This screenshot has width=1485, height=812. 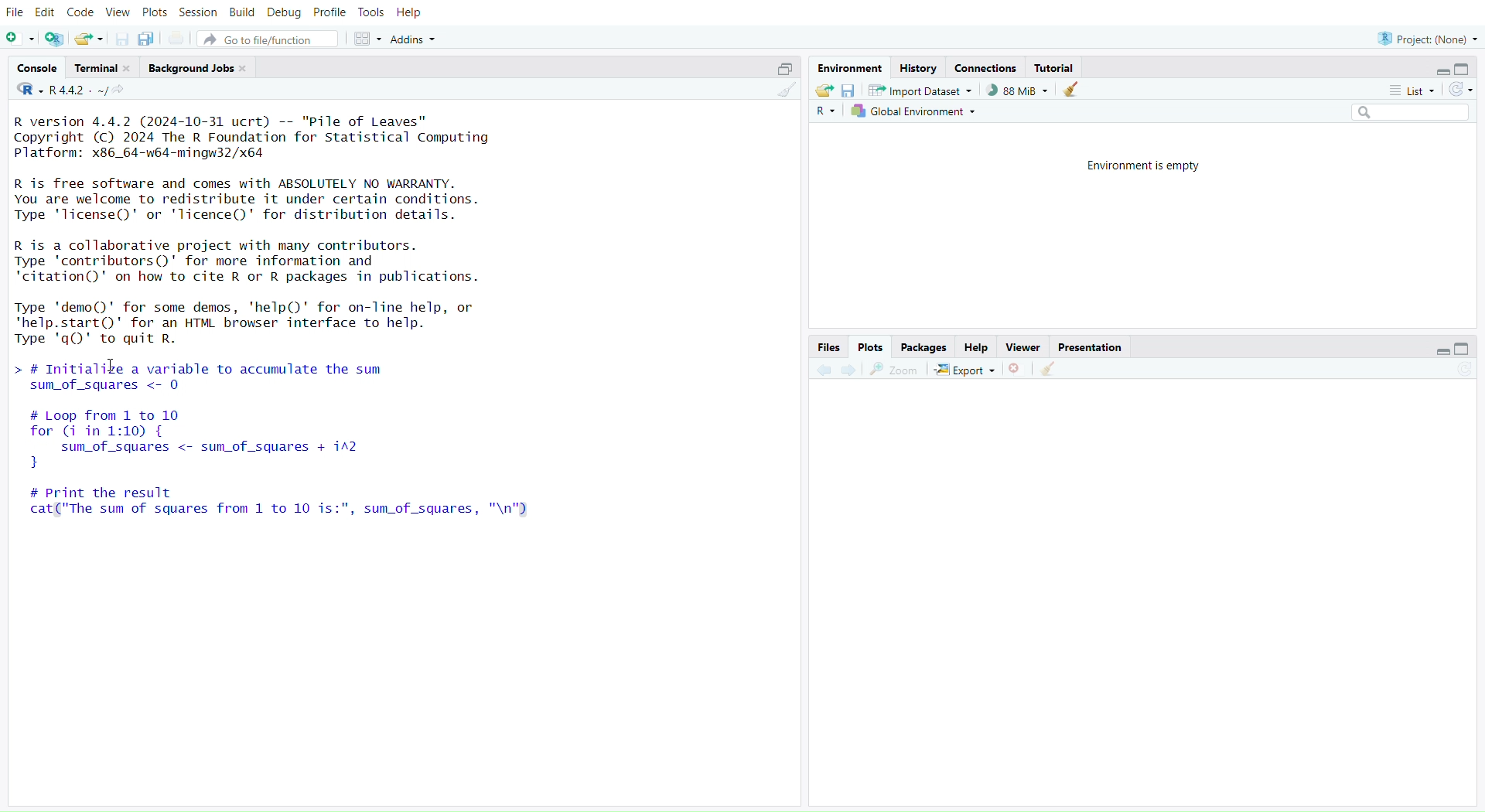 I want to click on terminal, so click(x=103, y=67).